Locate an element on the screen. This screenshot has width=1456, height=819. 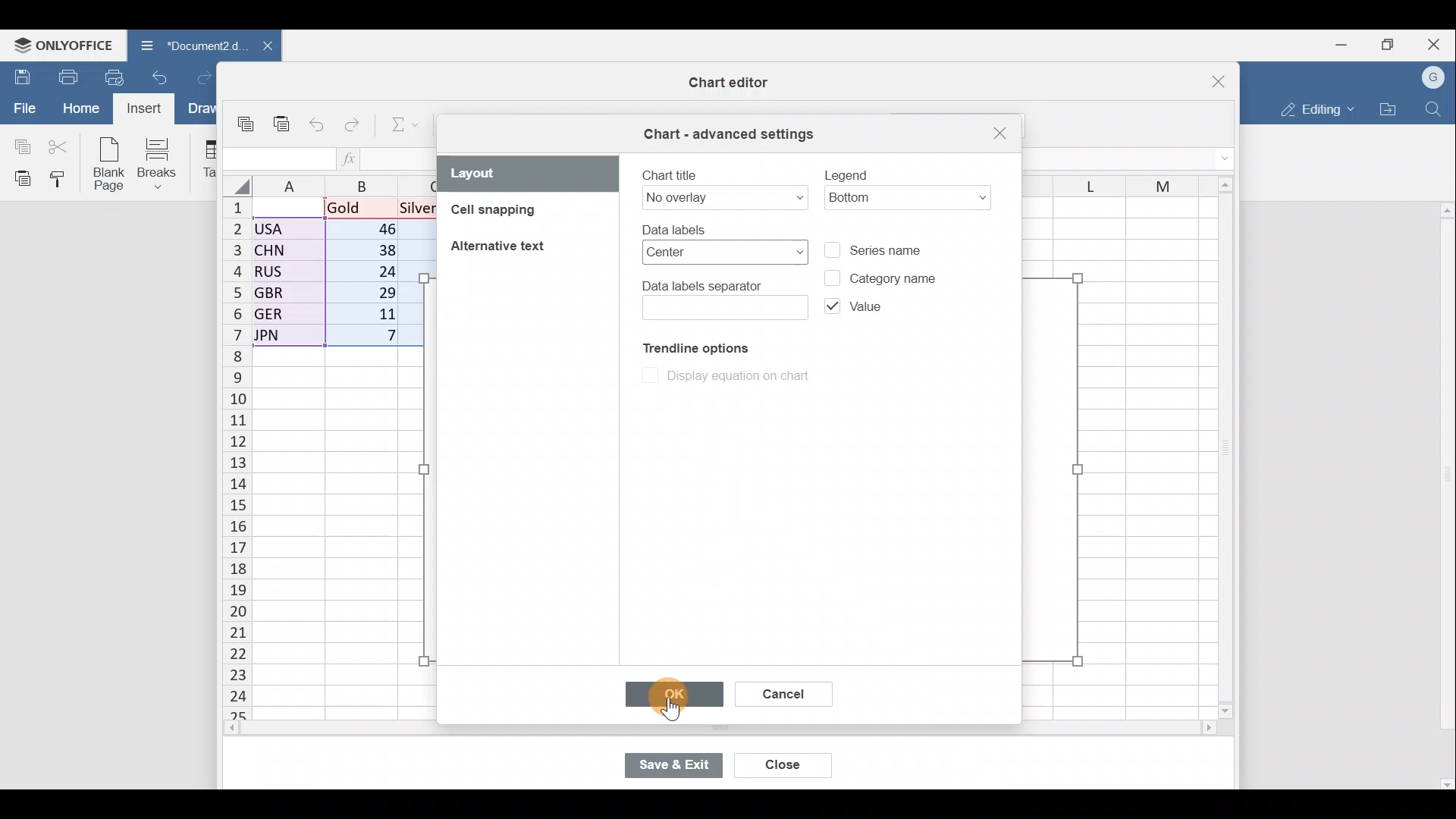
Document name is located at coordinates (188, 47).